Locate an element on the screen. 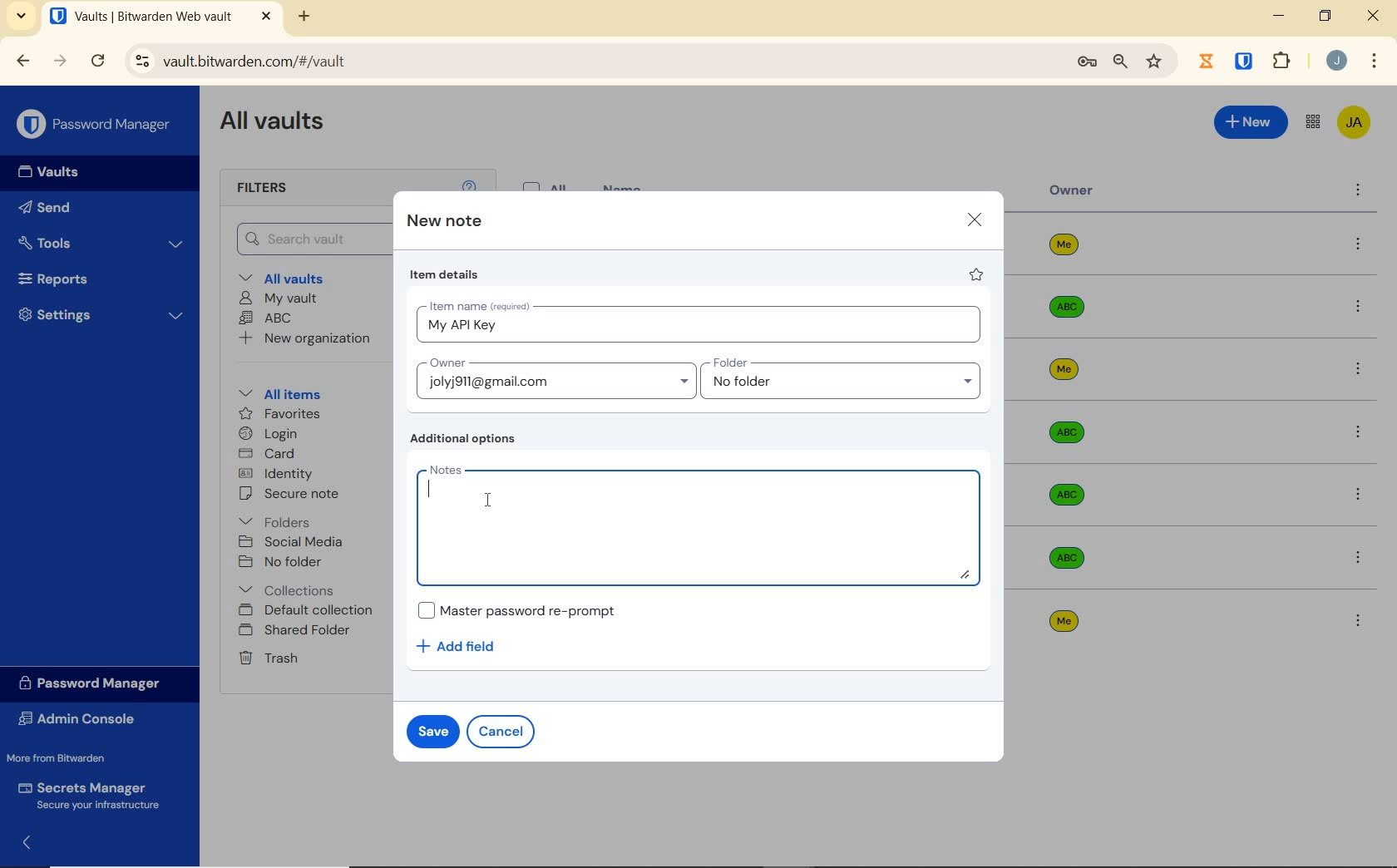  more options is located at coordinates (1358, 620).